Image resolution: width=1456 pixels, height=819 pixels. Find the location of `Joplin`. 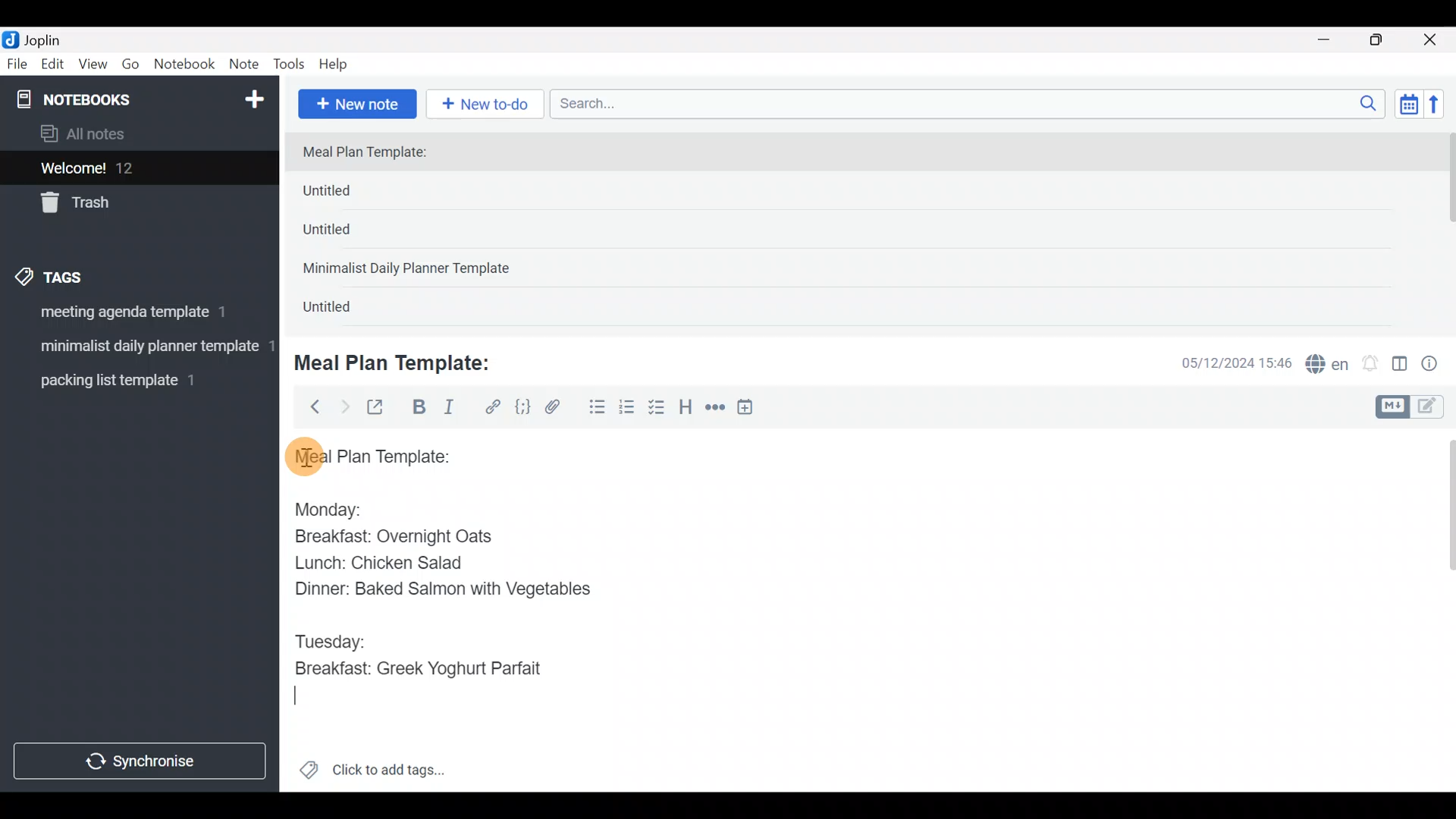

Joplin is located at coordinates (52, 38).